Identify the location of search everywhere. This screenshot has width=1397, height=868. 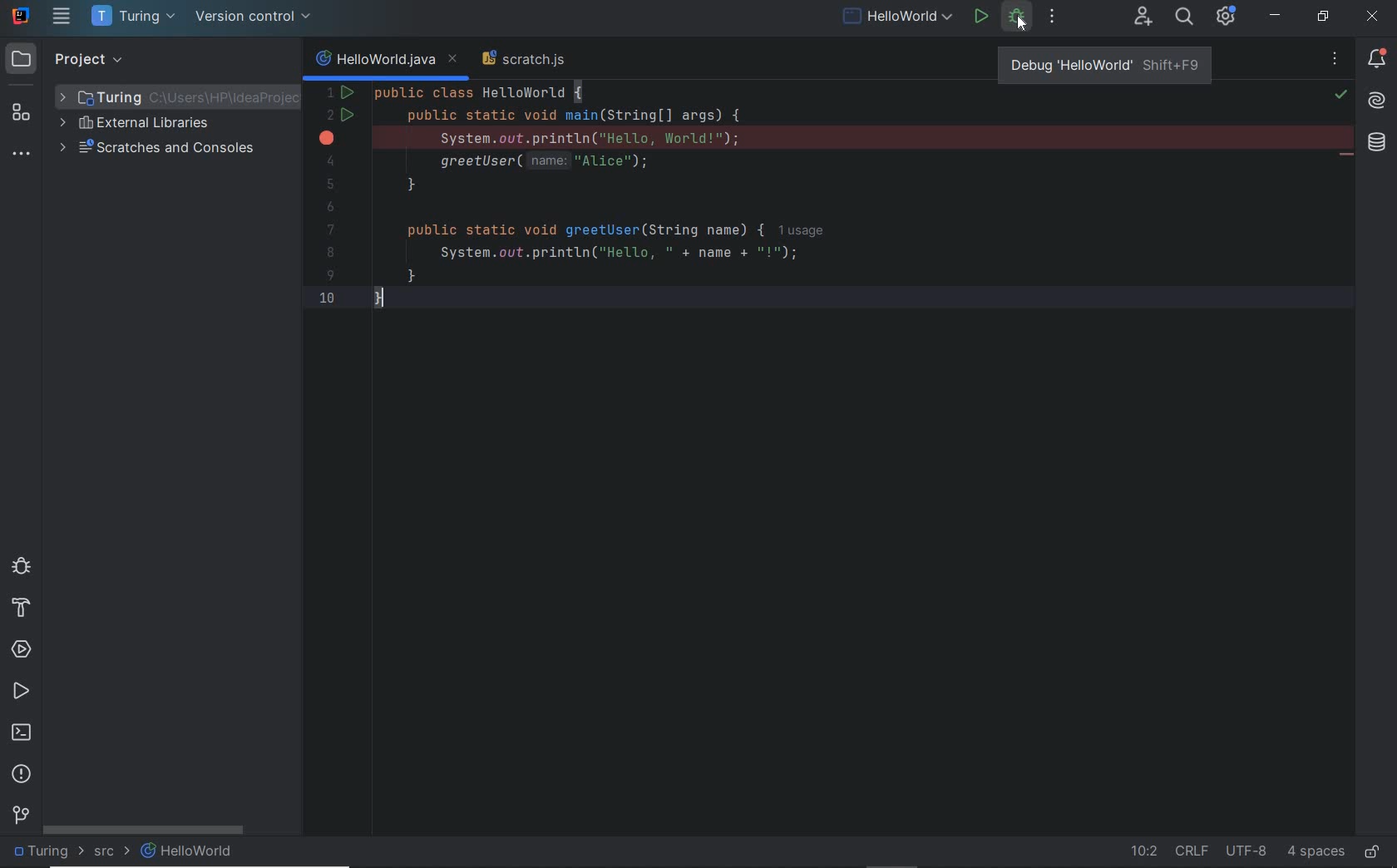
(1184, 18).